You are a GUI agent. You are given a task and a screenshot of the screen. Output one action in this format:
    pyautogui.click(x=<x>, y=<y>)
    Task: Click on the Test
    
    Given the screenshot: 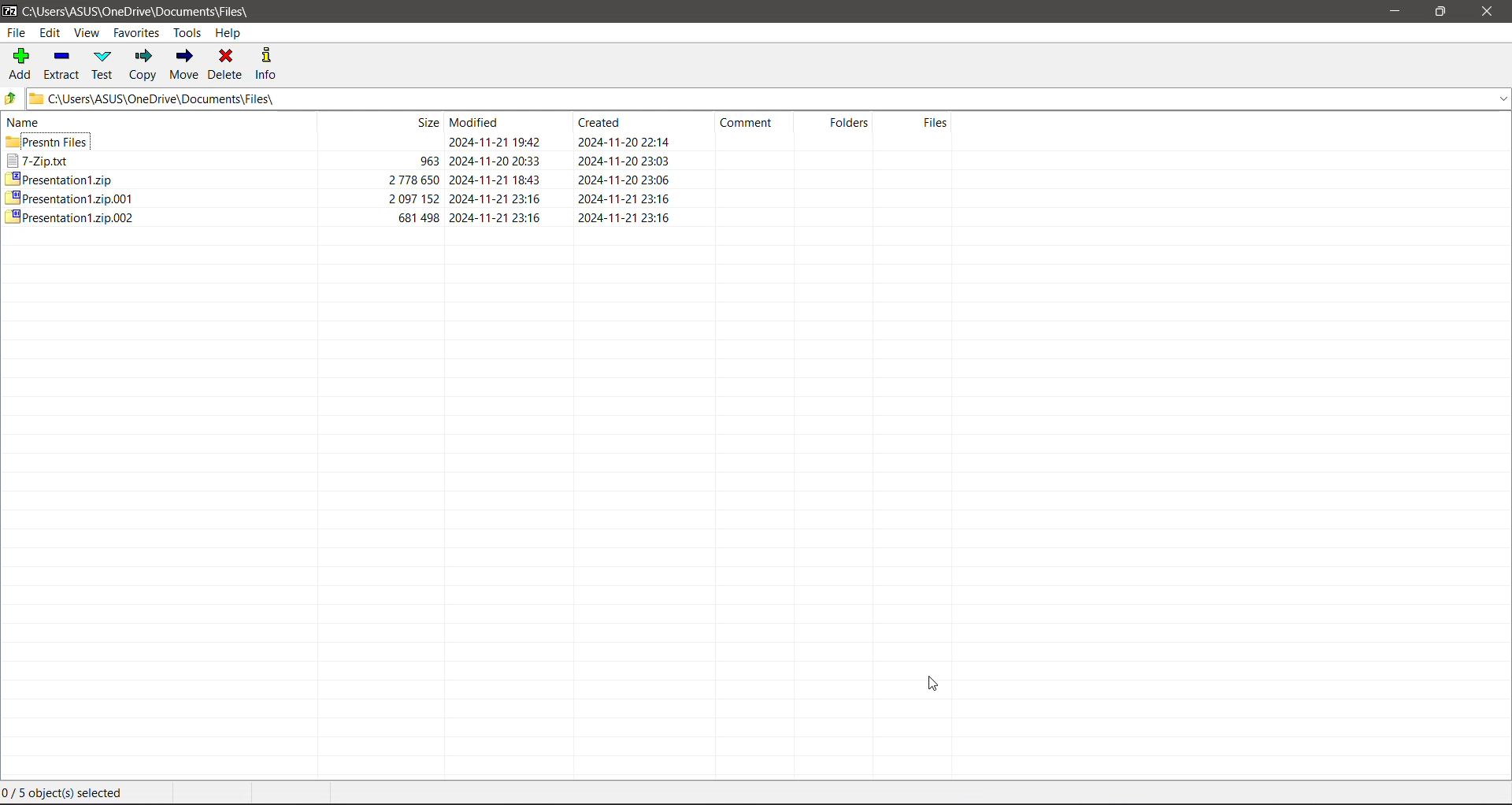 What is the action you would take?
    pyautogui.click(x=103, y=65)
    